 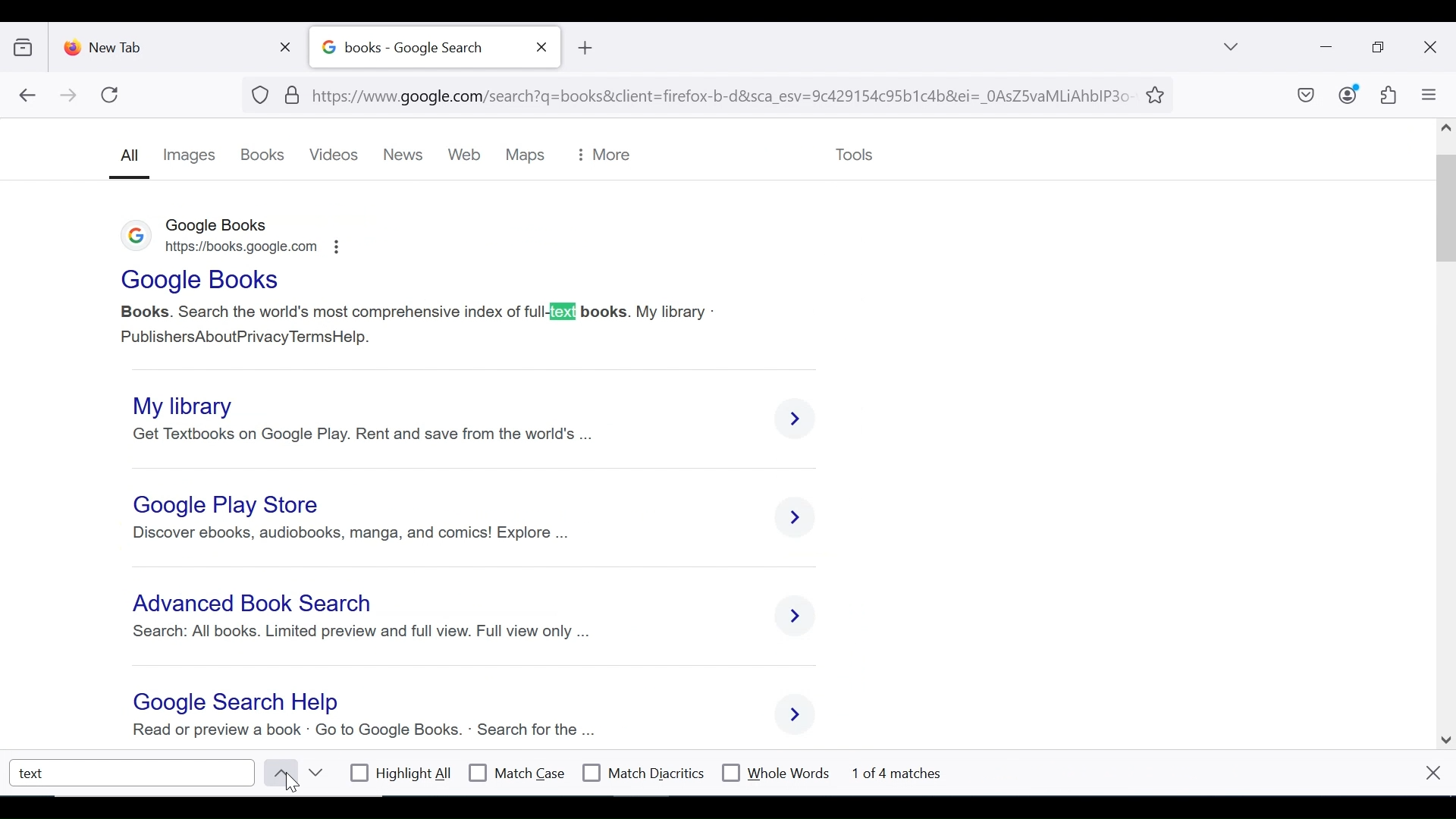 I want to click on scroll bar, so click(x=1447, y=429).